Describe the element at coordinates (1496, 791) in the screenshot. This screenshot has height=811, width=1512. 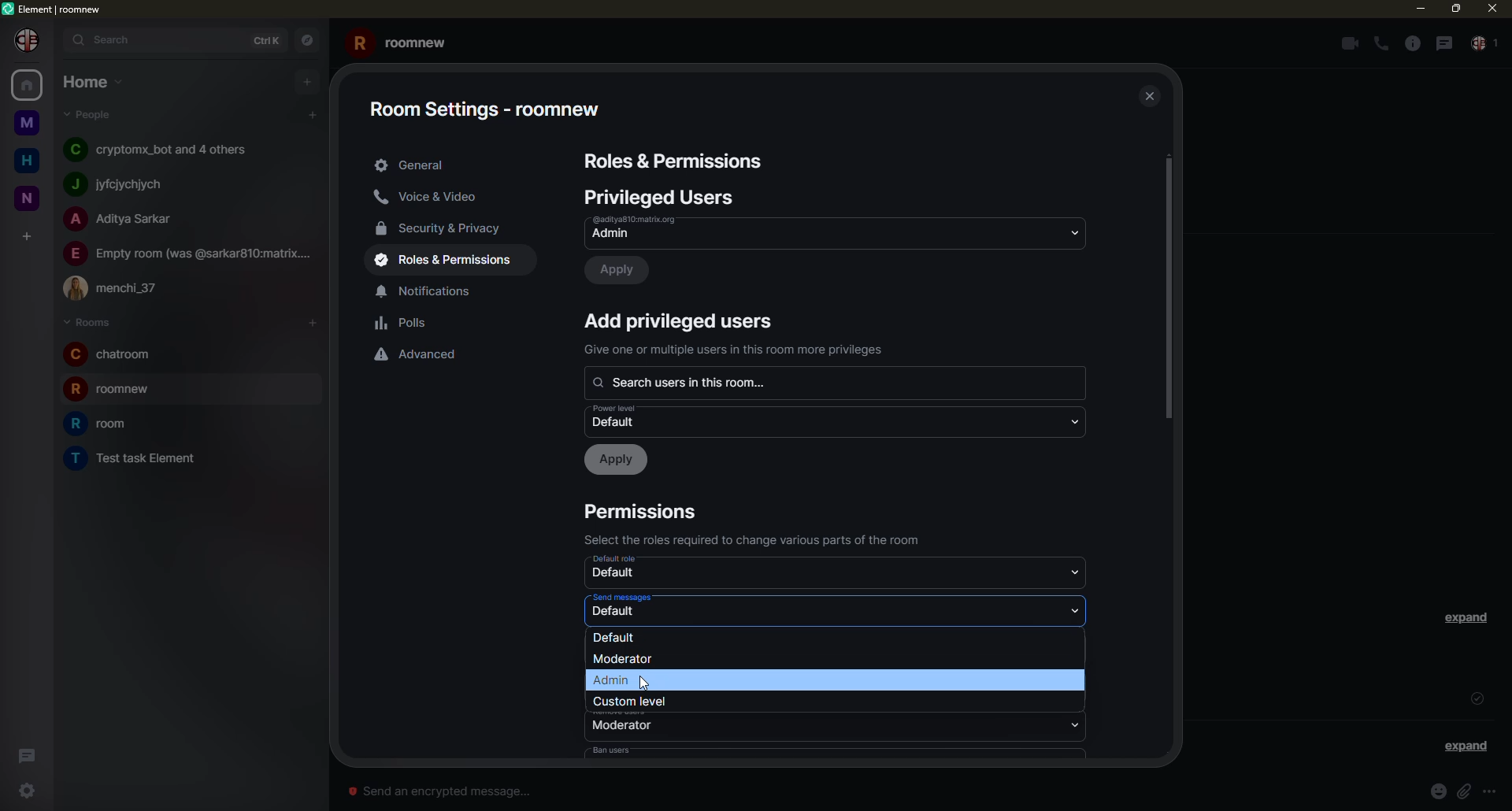
I see `info` at that location.